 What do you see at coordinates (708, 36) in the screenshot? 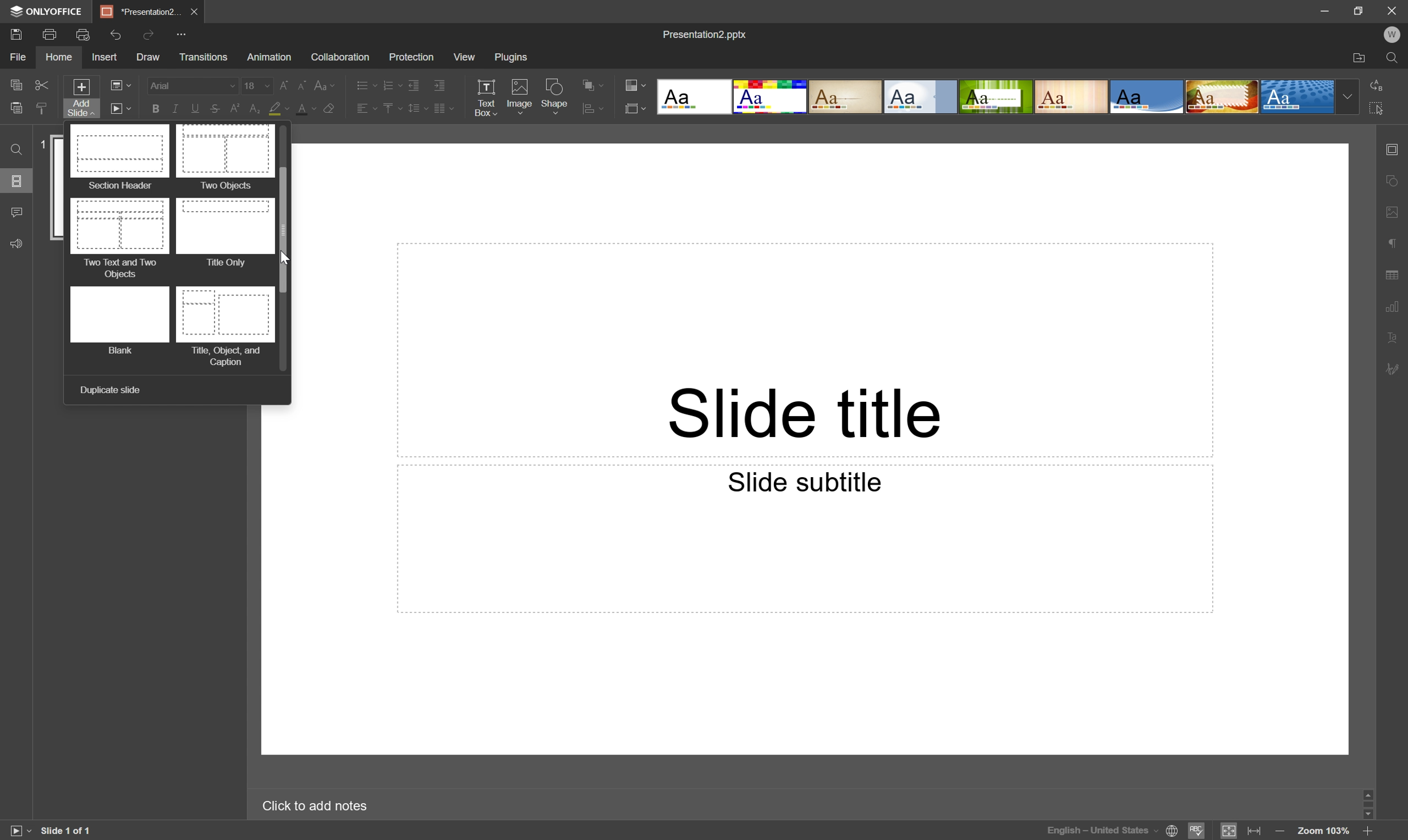
I see `Presentation2.pptx` at bounding box center [708, 36].